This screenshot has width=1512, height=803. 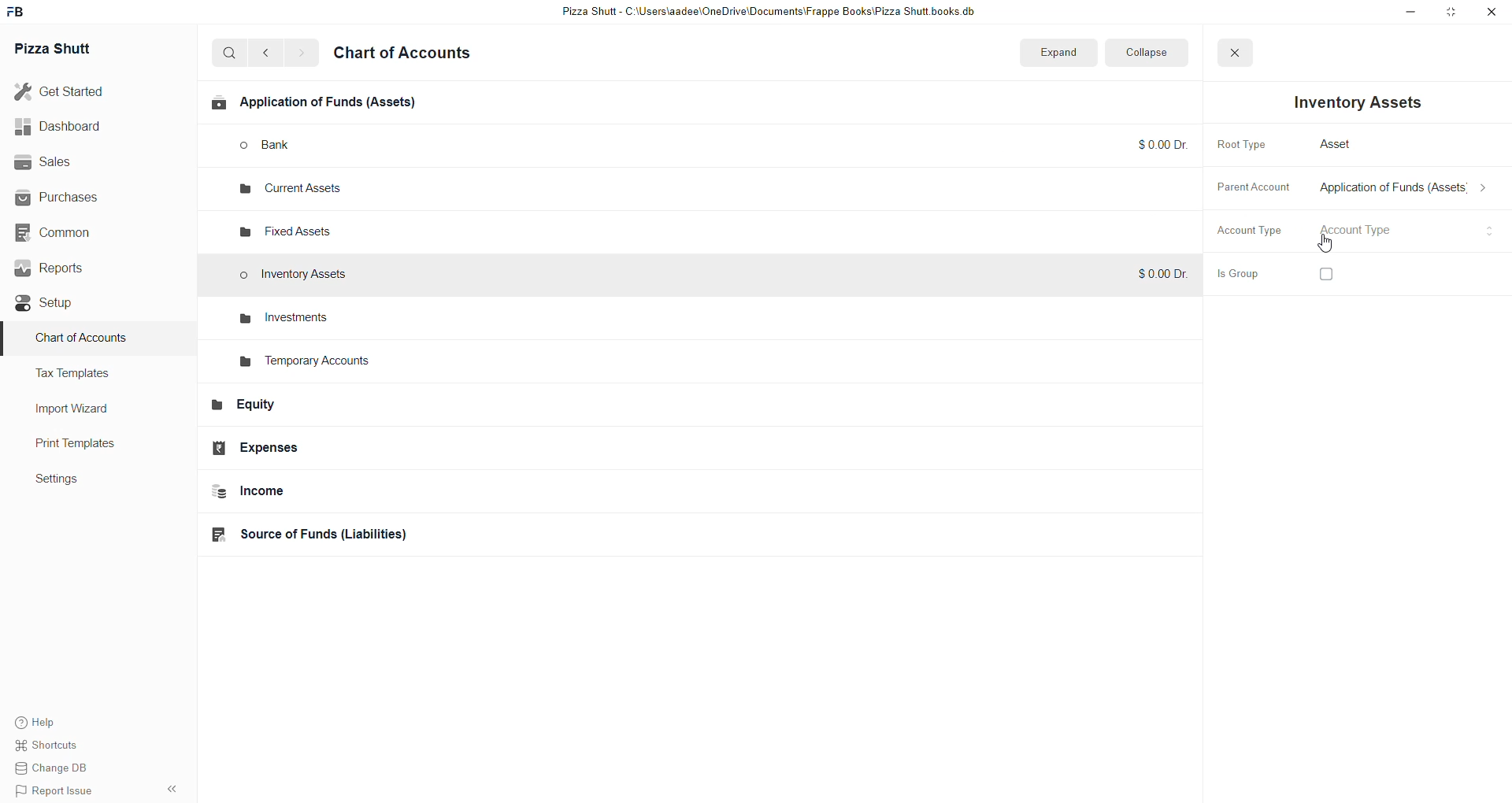 I want to click on investments , so click(x=281, y=318).